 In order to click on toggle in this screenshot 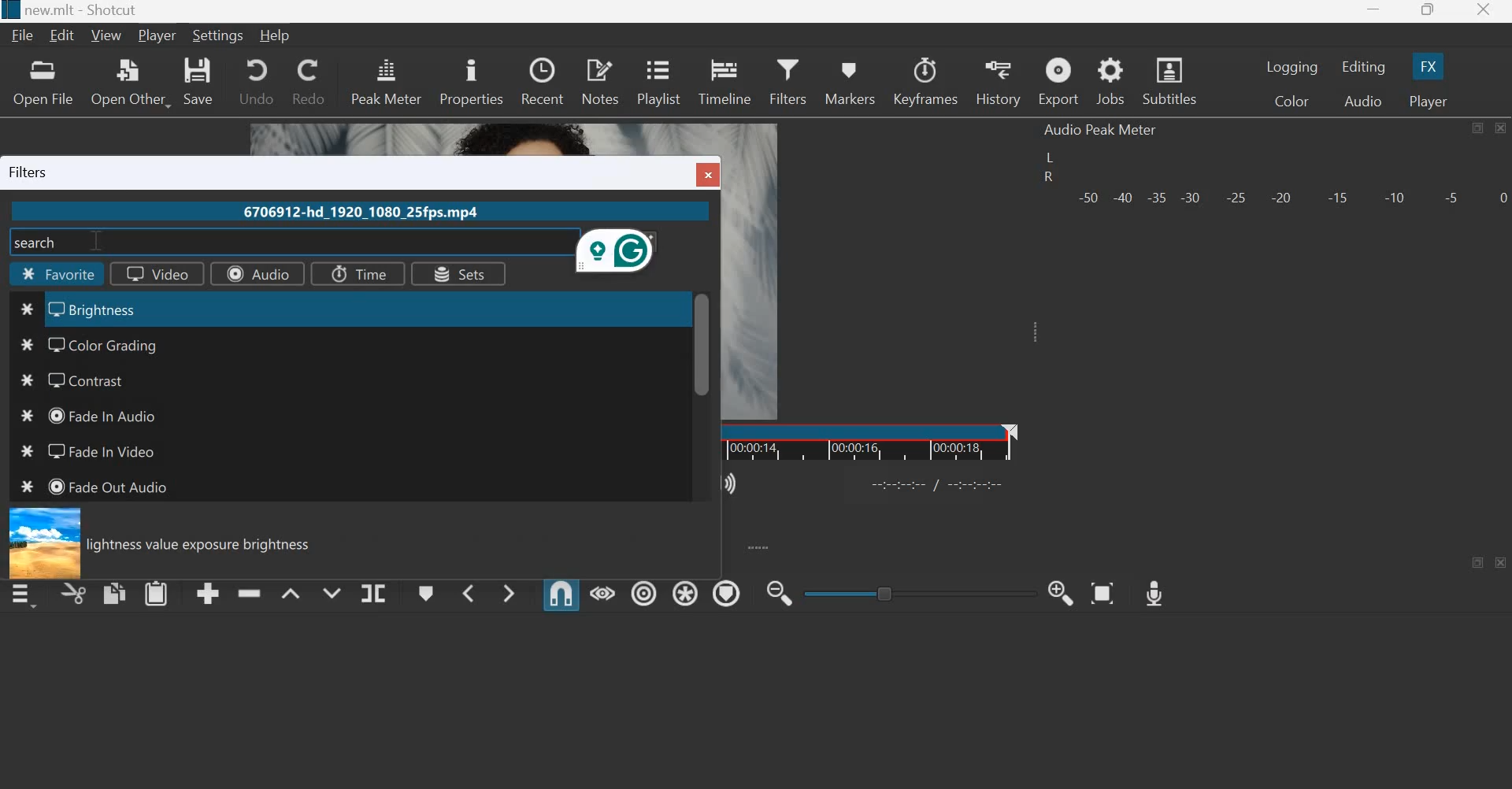, I will do `click(922, 591)`.